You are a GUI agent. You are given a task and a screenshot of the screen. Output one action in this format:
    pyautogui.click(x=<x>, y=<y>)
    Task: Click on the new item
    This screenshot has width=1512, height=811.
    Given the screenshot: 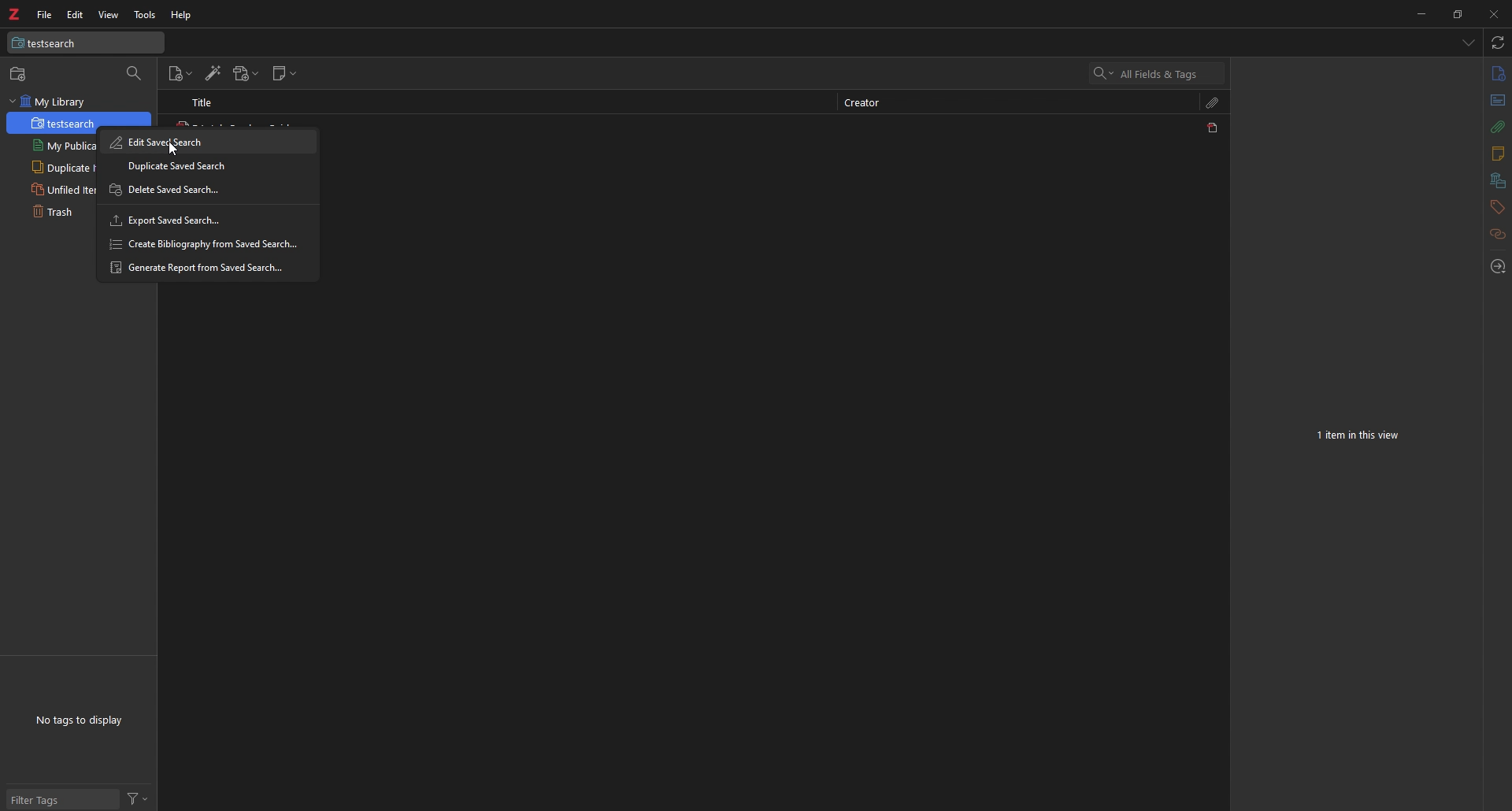 What is the action you would take?
    pyautogui.click(x=20, y=73)
    